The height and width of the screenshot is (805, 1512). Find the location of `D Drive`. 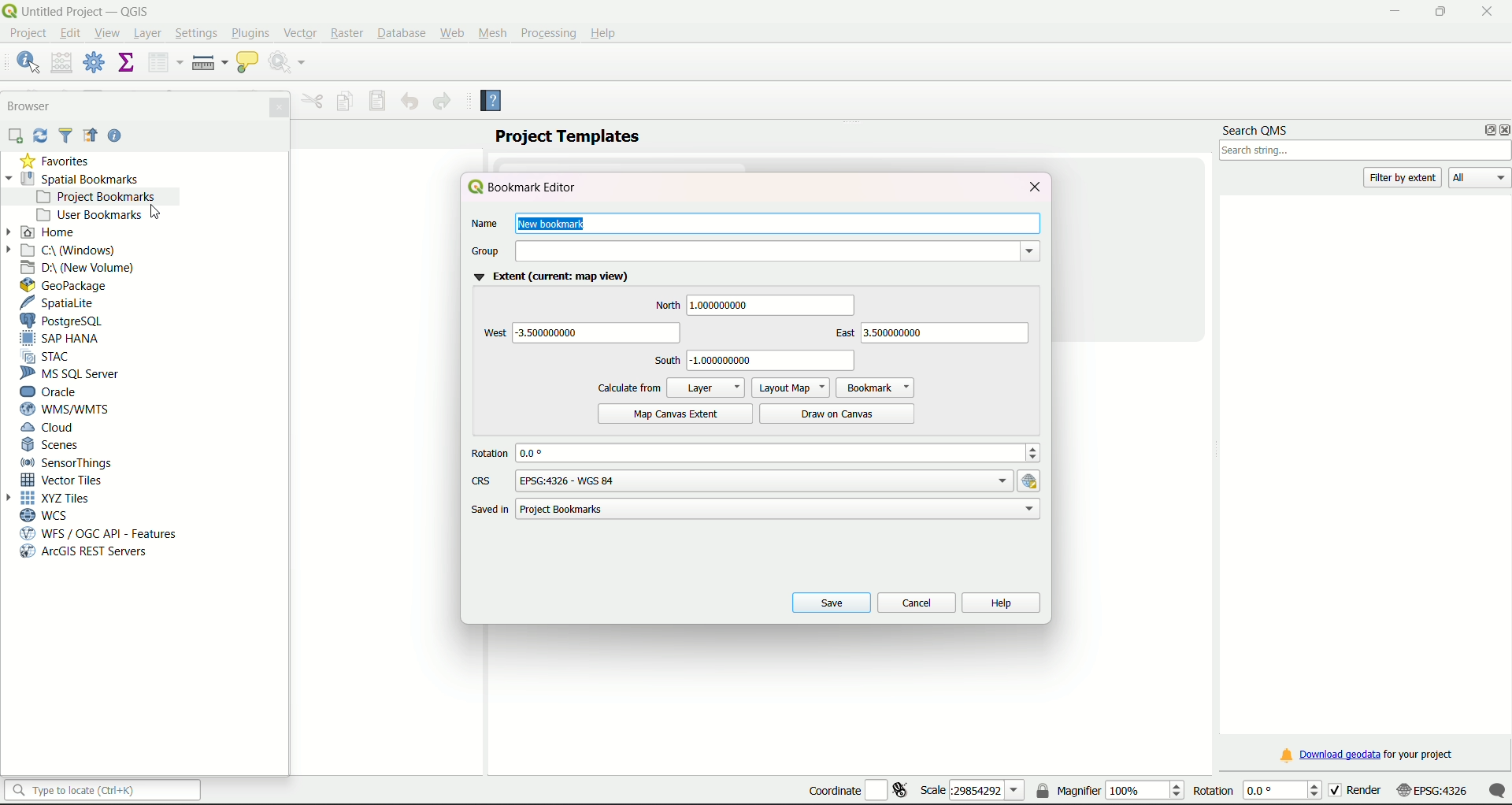

D Drive is located at coordinates (79, 269).